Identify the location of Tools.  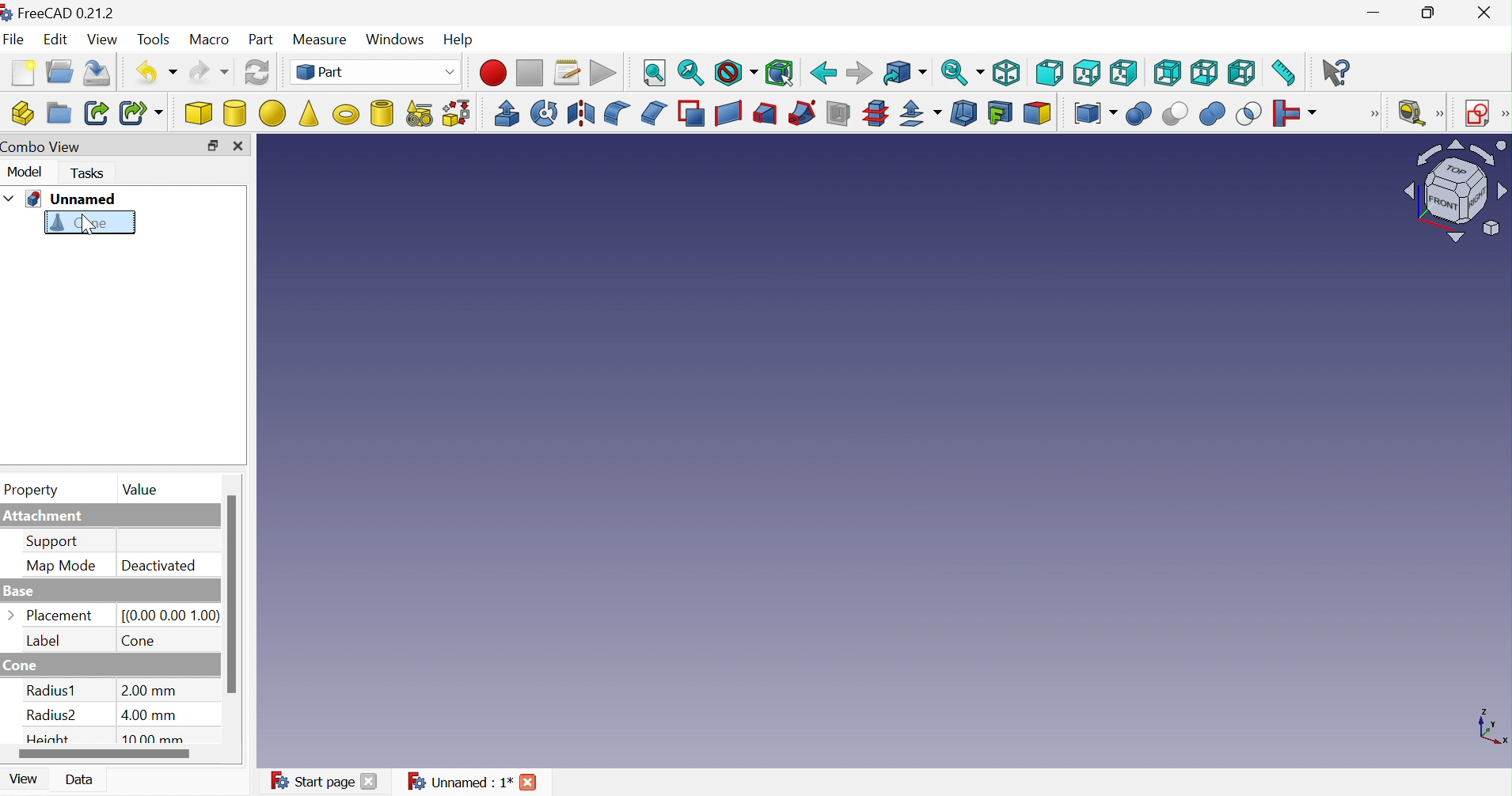
(154, 40).